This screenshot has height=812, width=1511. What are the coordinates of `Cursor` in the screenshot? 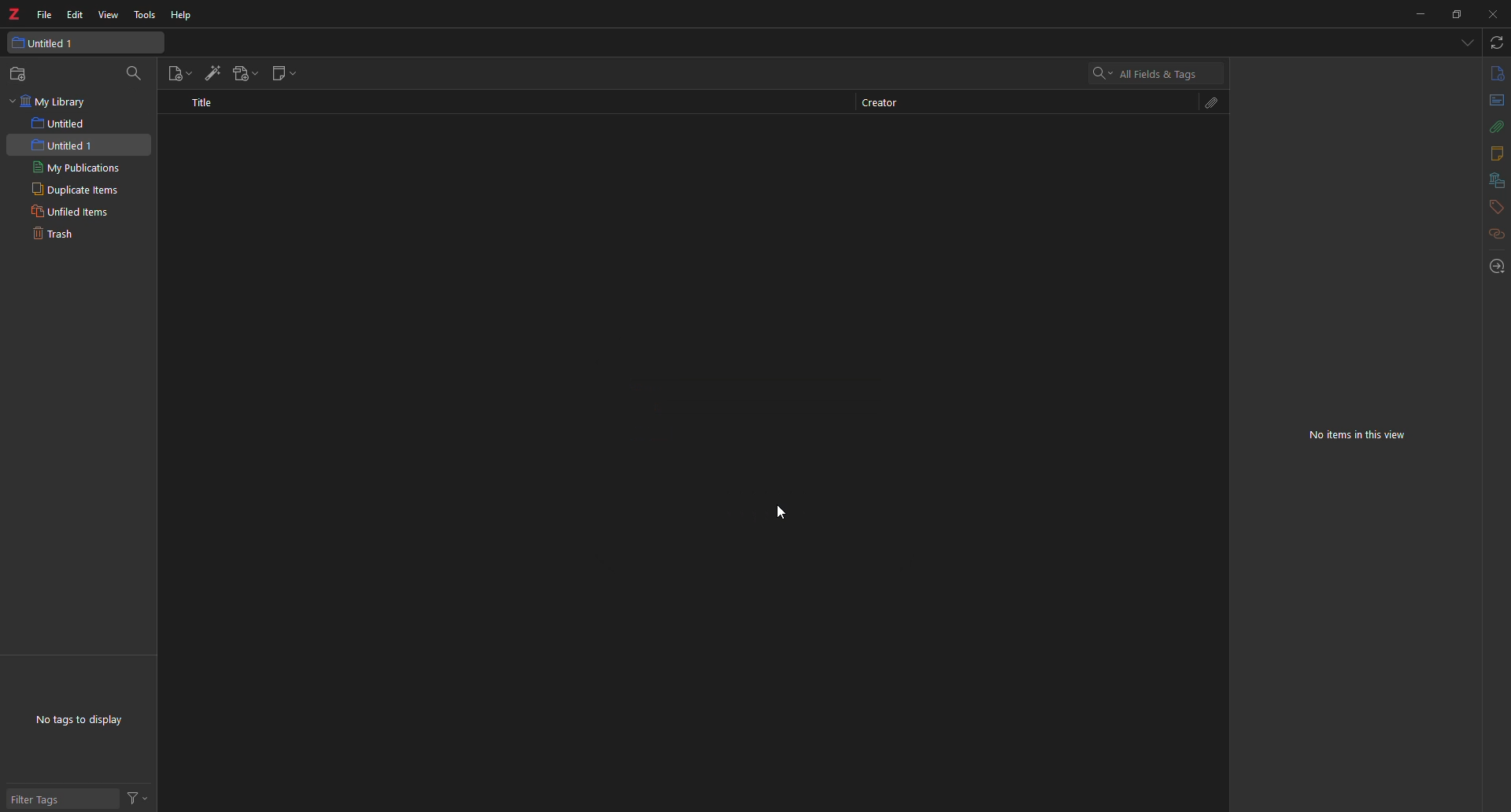 It's located at (781, 512).